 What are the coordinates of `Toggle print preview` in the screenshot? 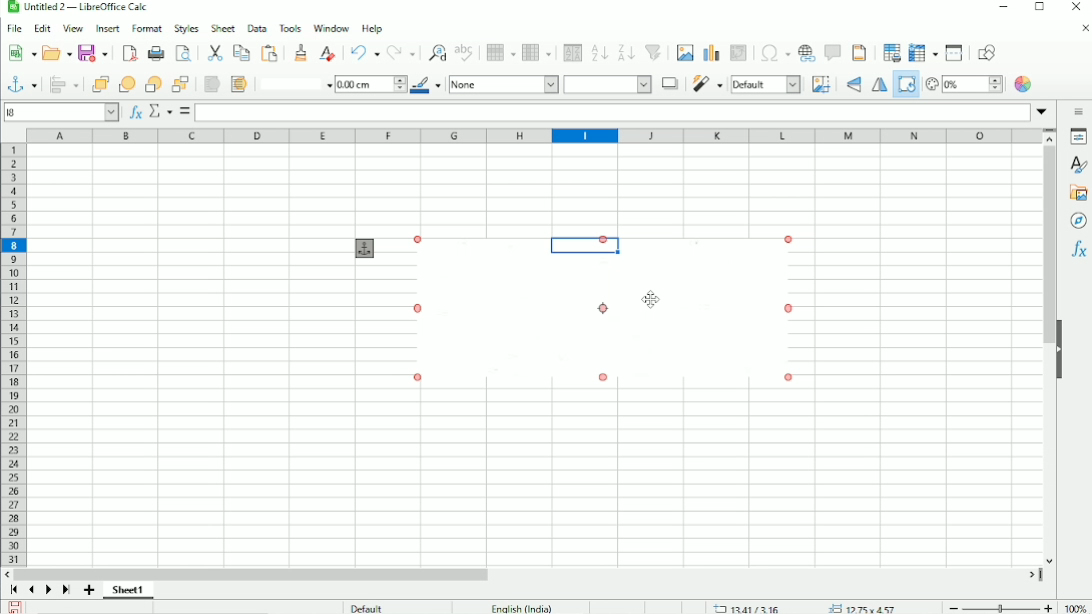 It's located at (183, 53).